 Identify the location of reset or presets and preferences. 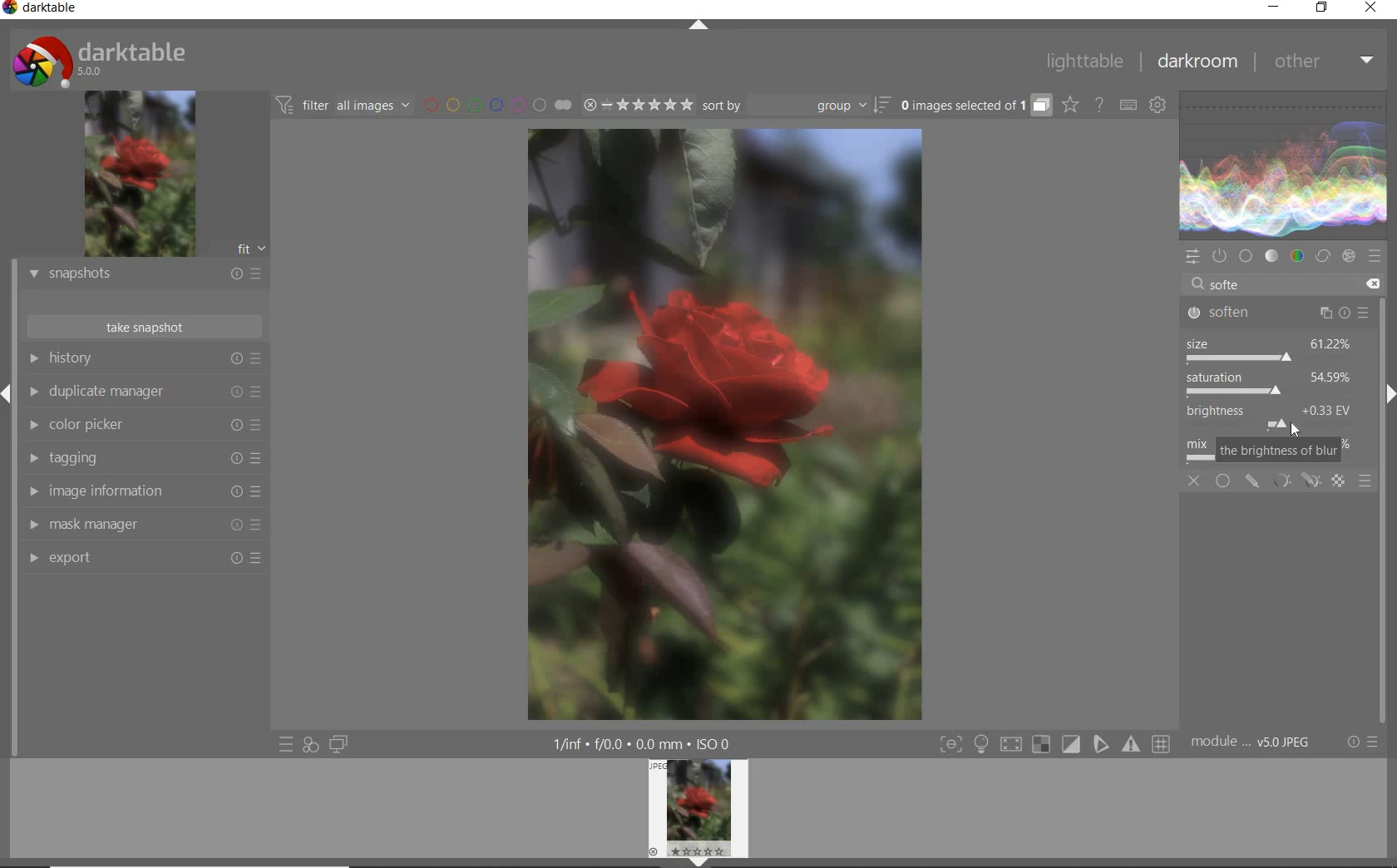
(1363, 742).